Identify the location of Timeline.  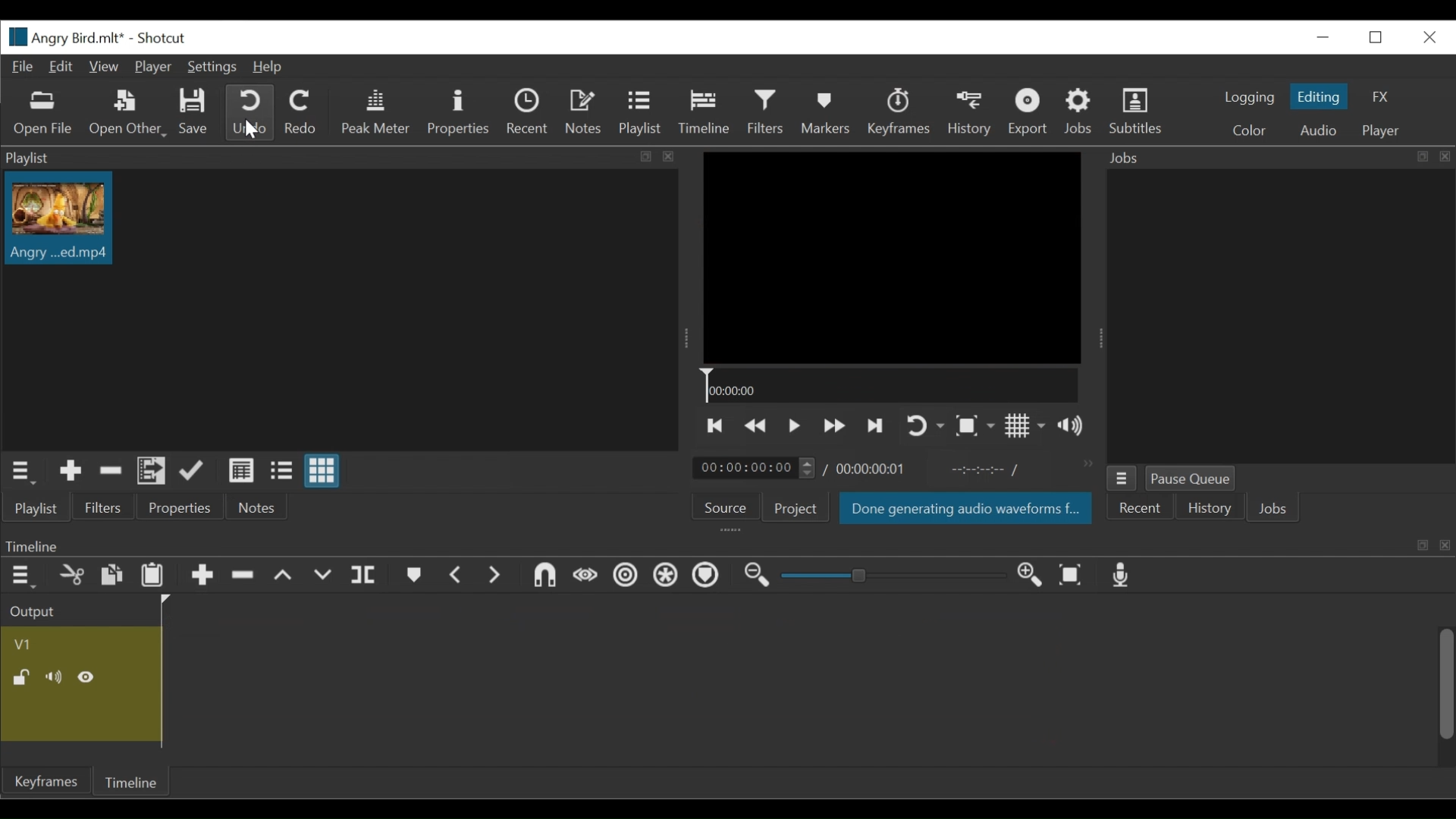
(728, 544).